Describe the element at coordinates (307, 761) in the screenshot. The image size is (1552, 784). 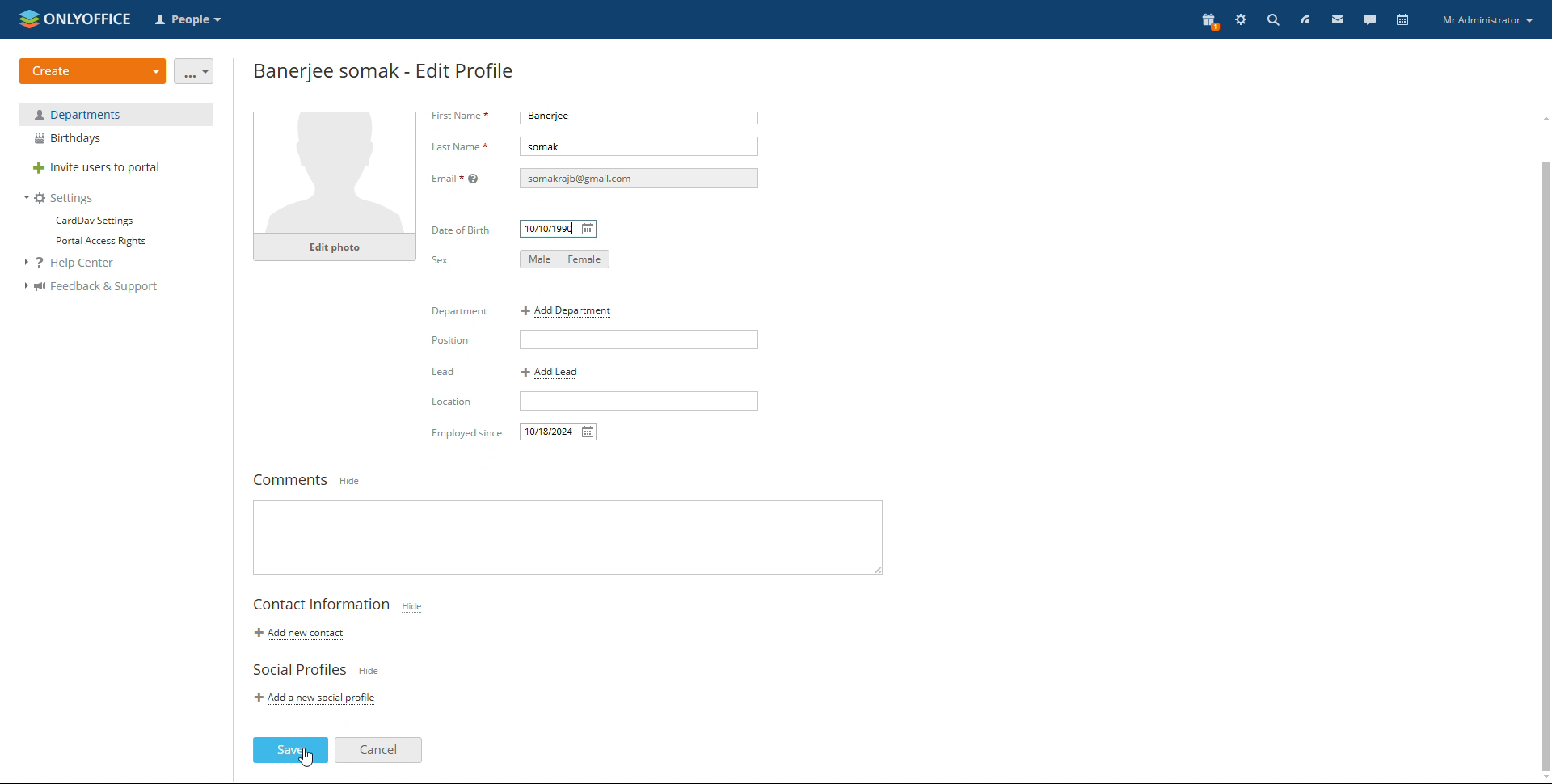
I see `hide` at that location.